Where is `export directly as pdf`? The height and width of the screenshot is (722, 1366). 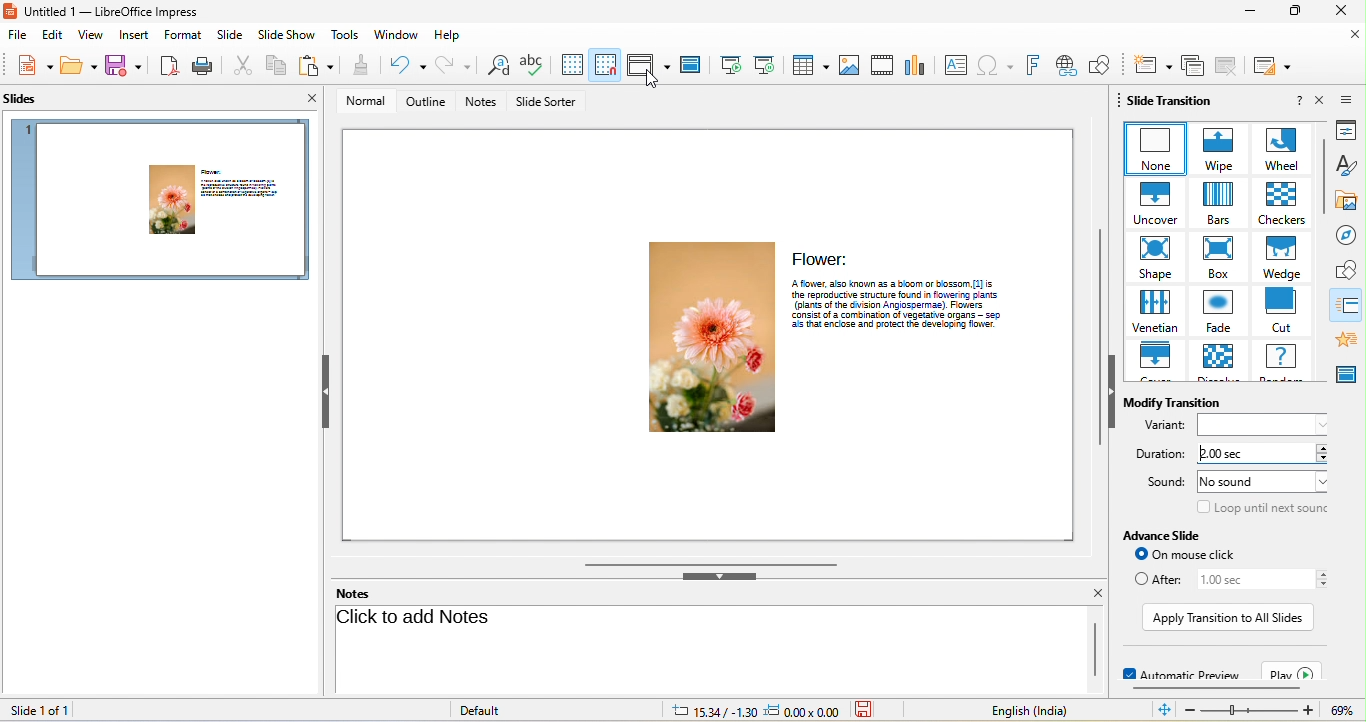 export directly as pdf is located at coordinates (170, 66).